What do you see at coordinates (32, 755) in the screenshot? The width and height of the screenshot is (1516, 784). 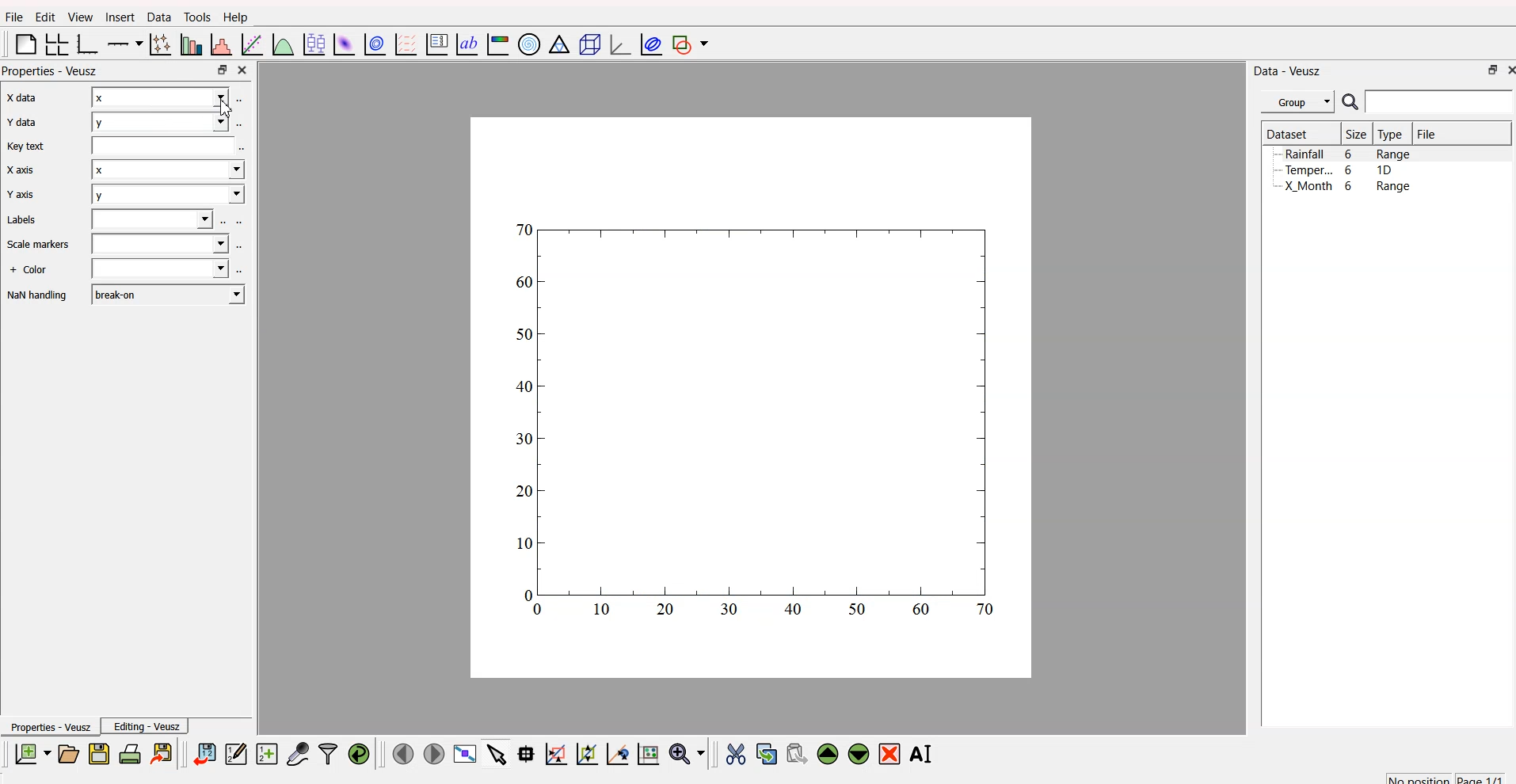 I see `new document` at bounding box center [32, 755].